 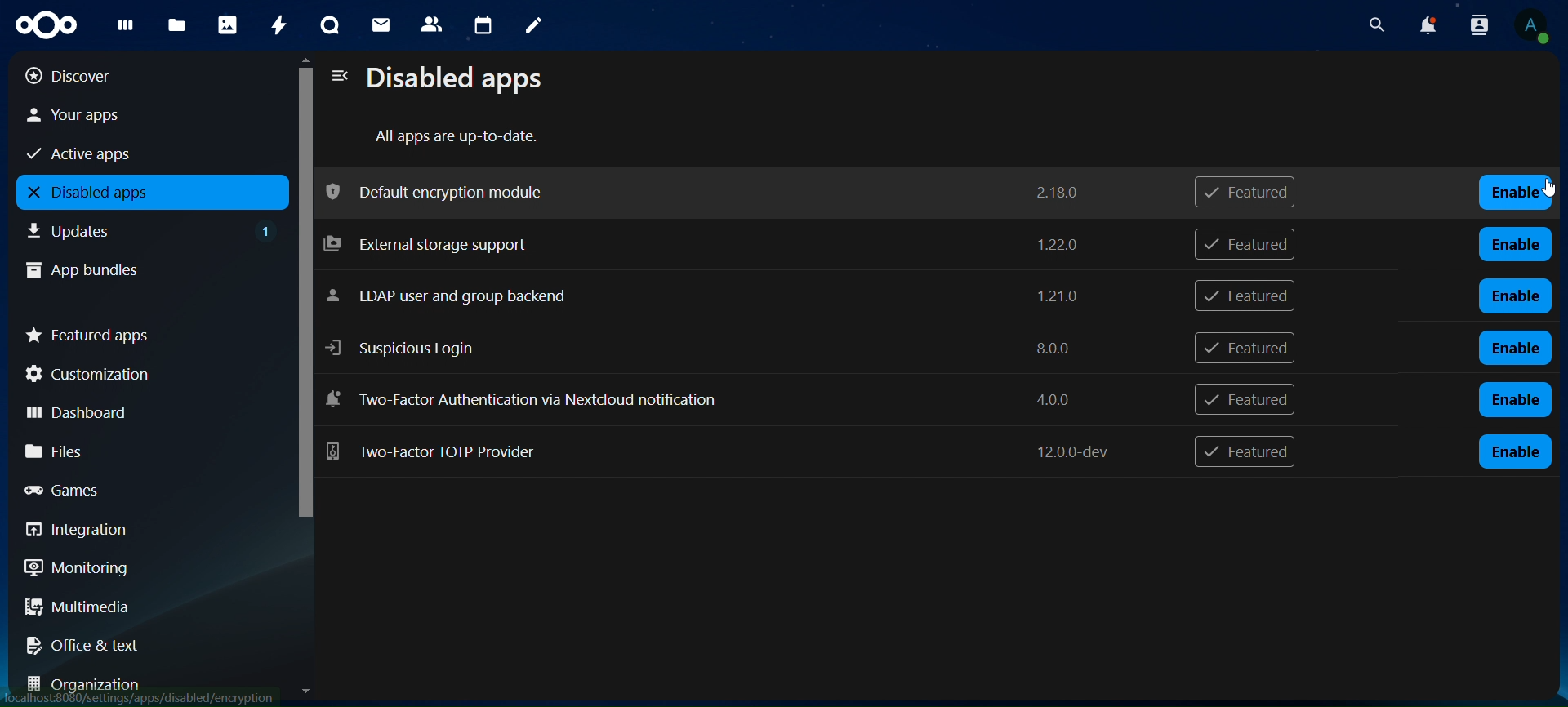 I want to click on suspicious login, so click(x=709, y=348).